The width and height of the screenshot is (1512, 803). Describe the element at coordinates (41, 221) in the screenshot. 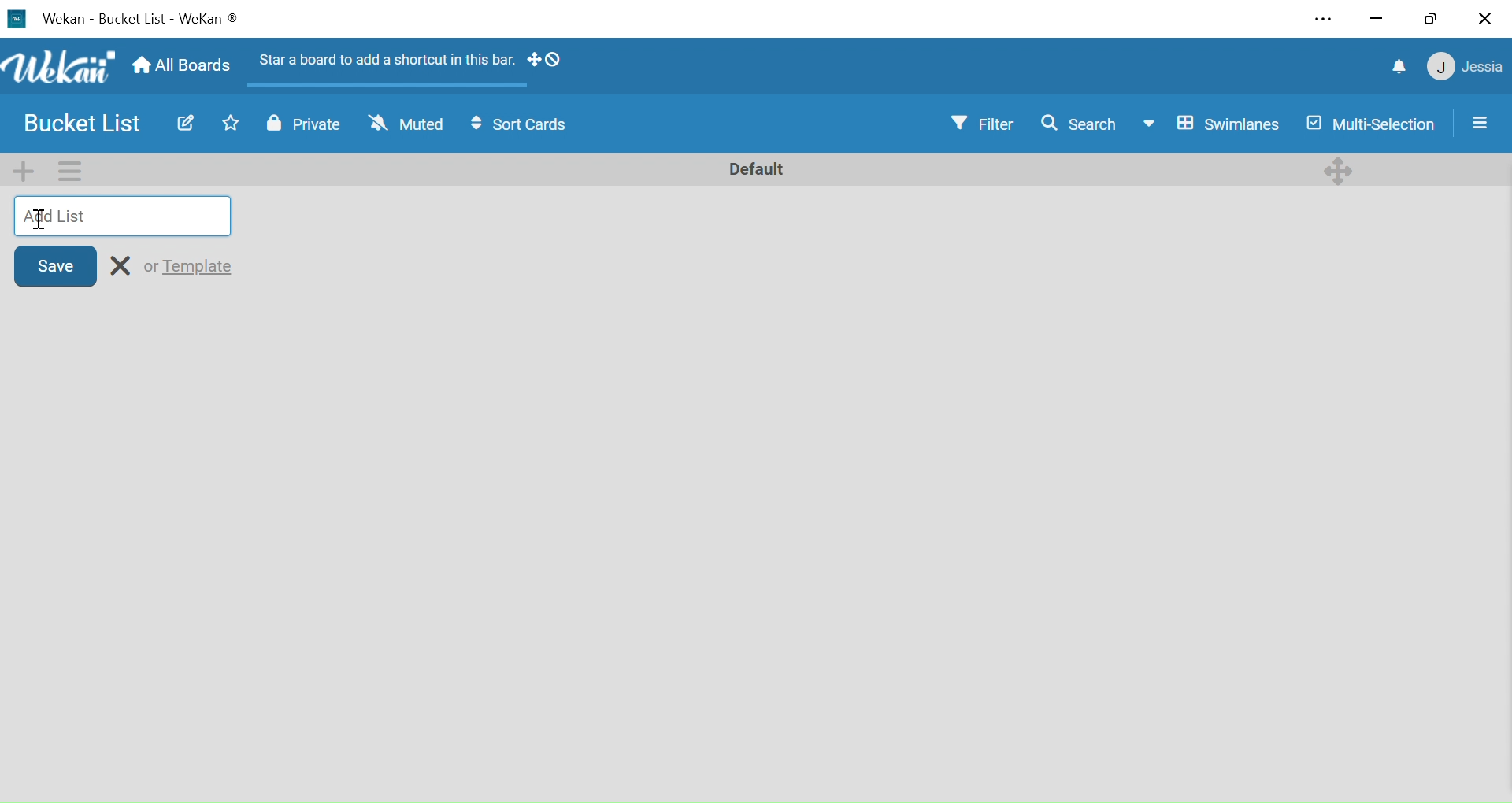

I see `Insertion cursor` at that location.